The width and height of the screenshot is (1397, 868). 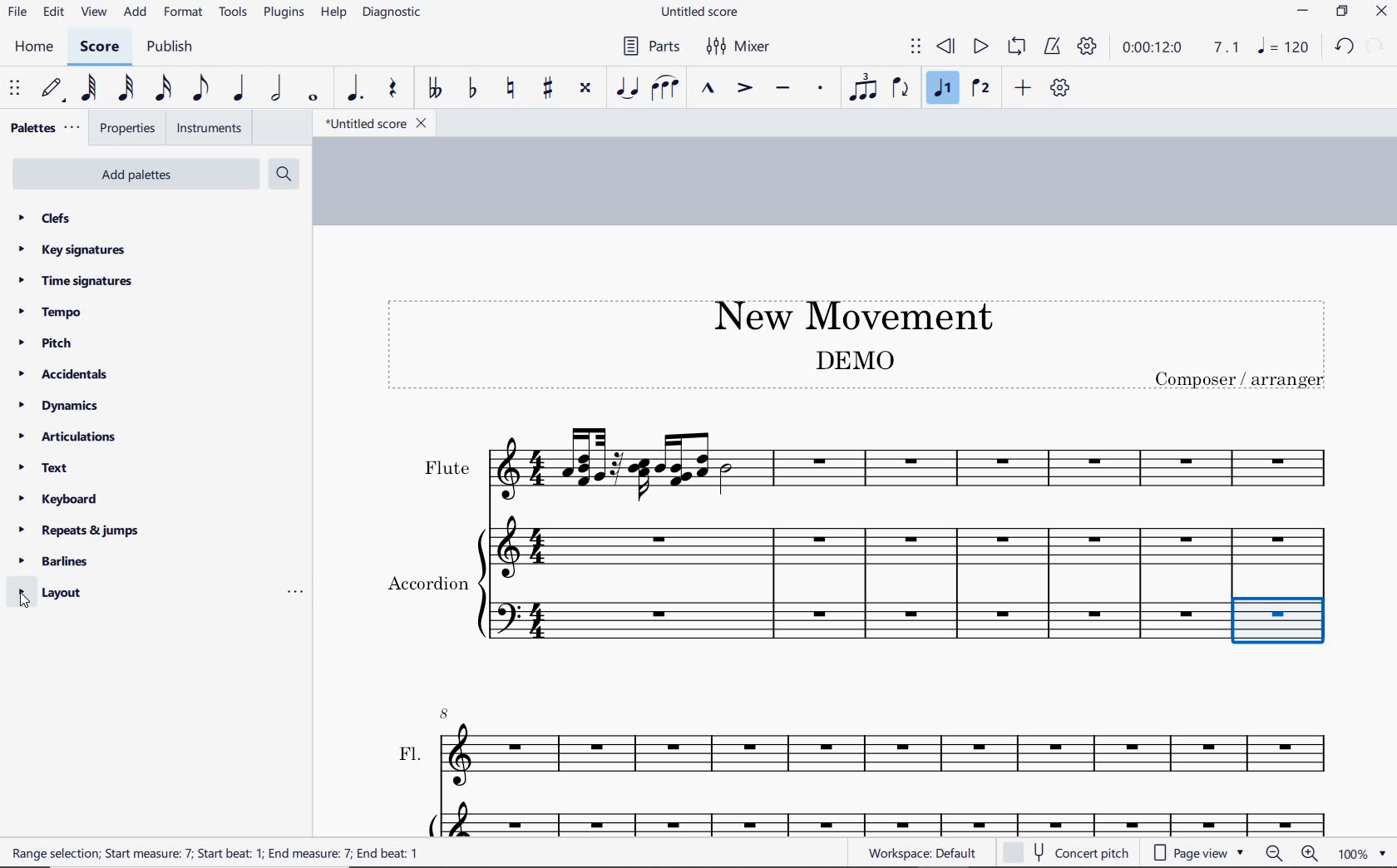 I want to click on whole note, so click(x=314, y=97).